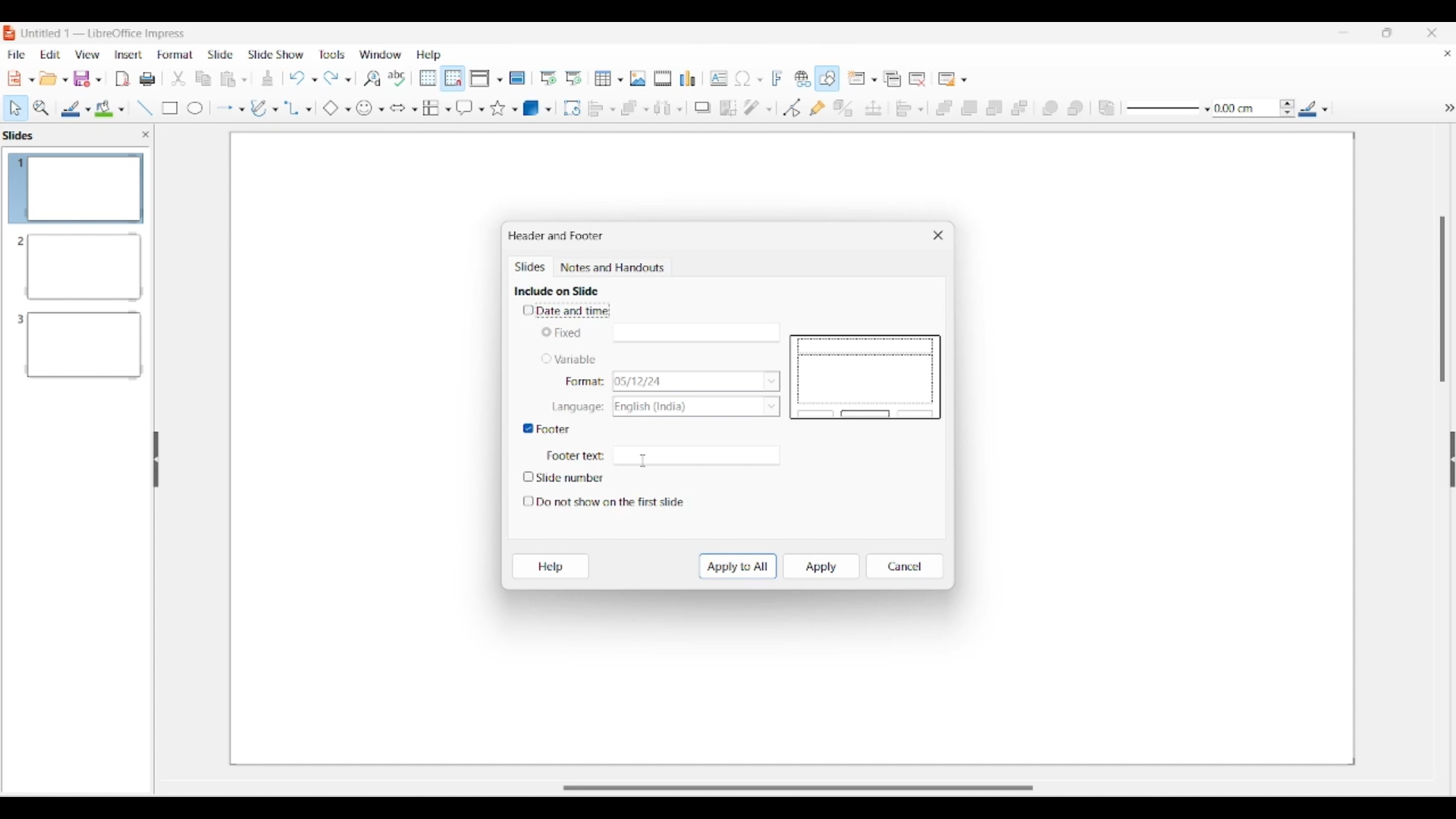 The image size is (1456, 819). I want to click on Write, so click(260, 106).